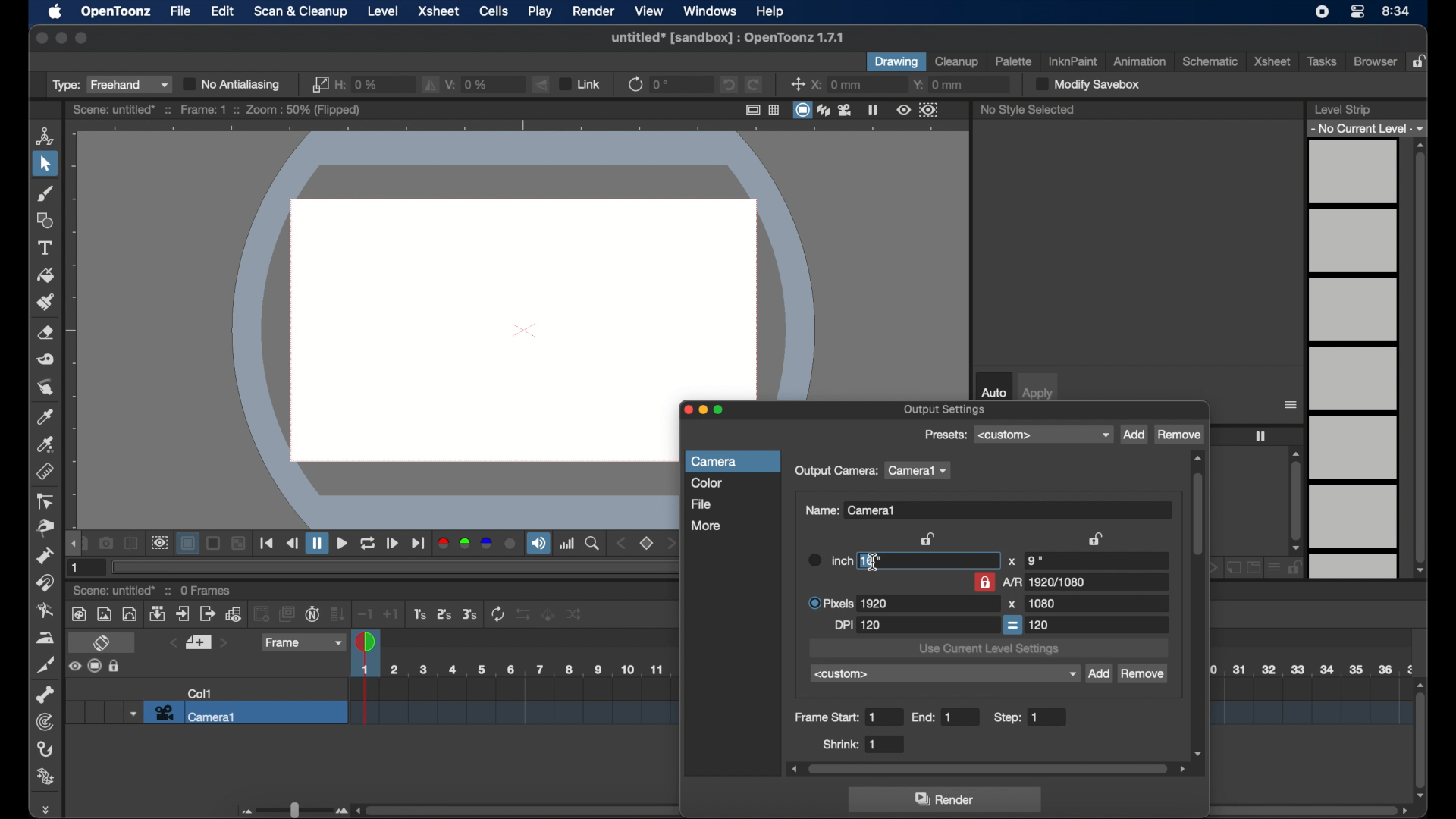 Image resolution: width=1456 pixels, height=819 pixels. I want to click on selection tool, so click(45, 165).